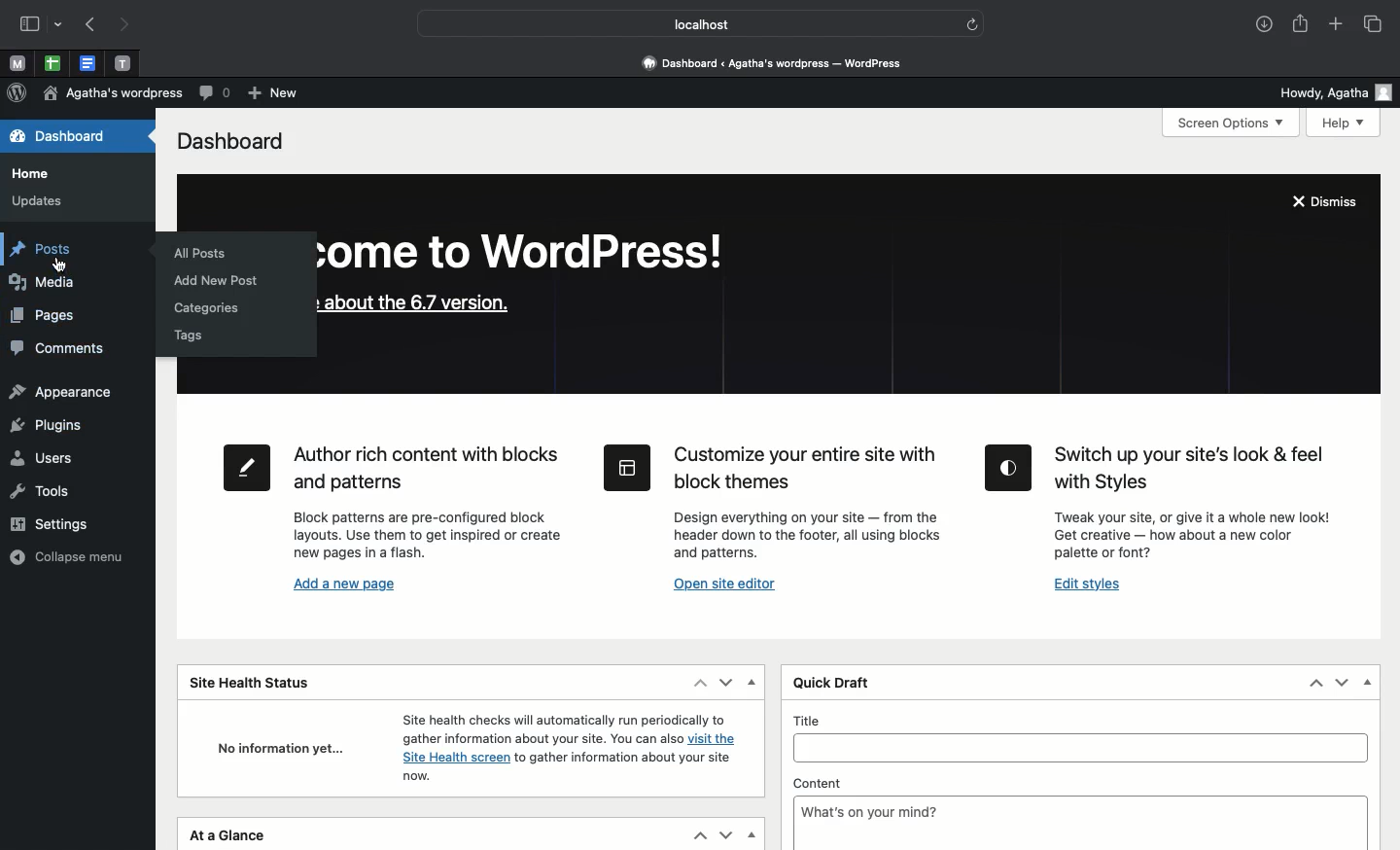 This screenshot has width=1400, height=850. Describe the element at coordinates (1082, 782) in the screenshot. I see `Content` at that location.